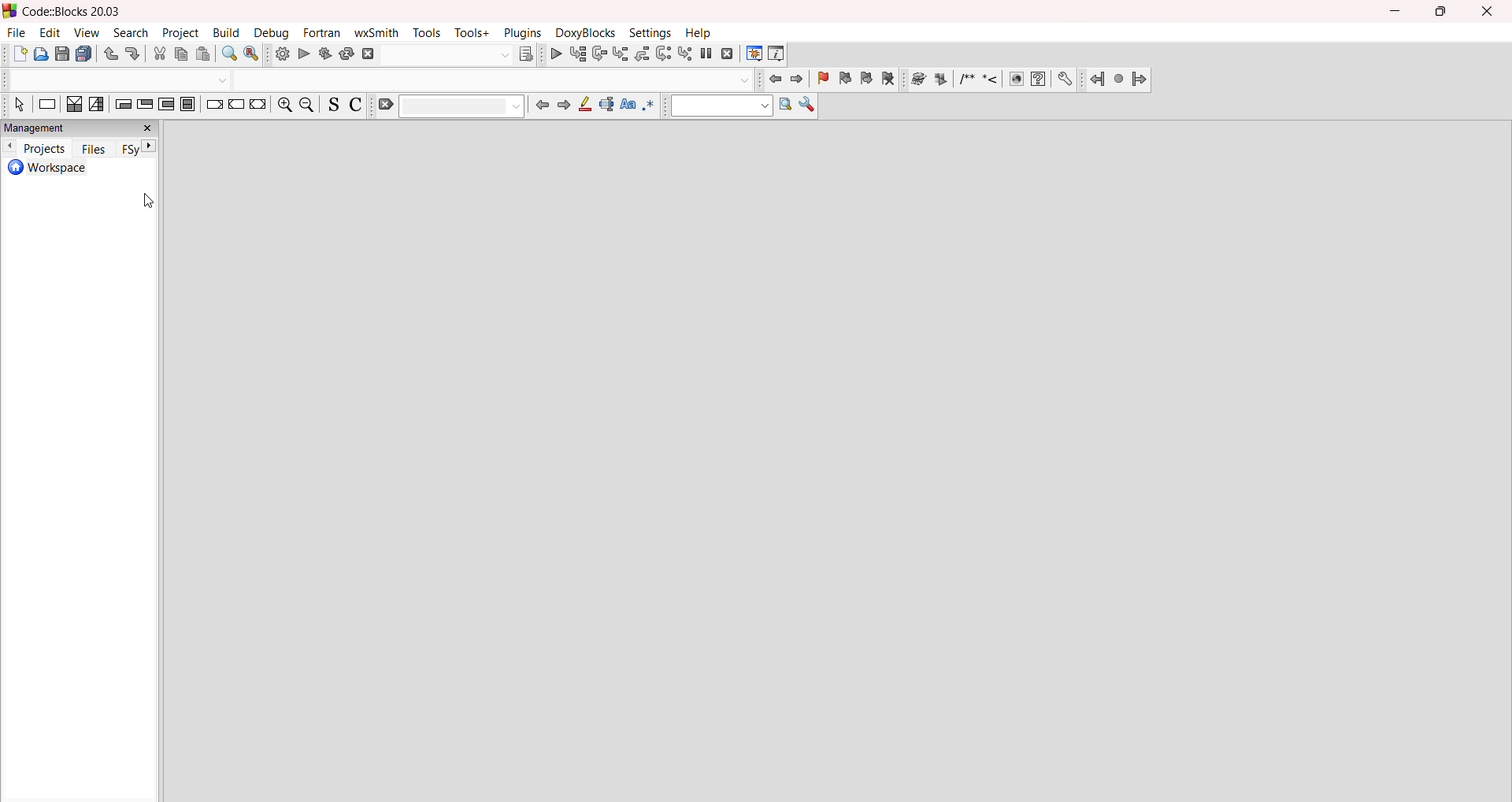 This screenshot has height=802, width=1512. Describe the element at coordinates (428, 32) in the screenshot. I see `tools` at that location.